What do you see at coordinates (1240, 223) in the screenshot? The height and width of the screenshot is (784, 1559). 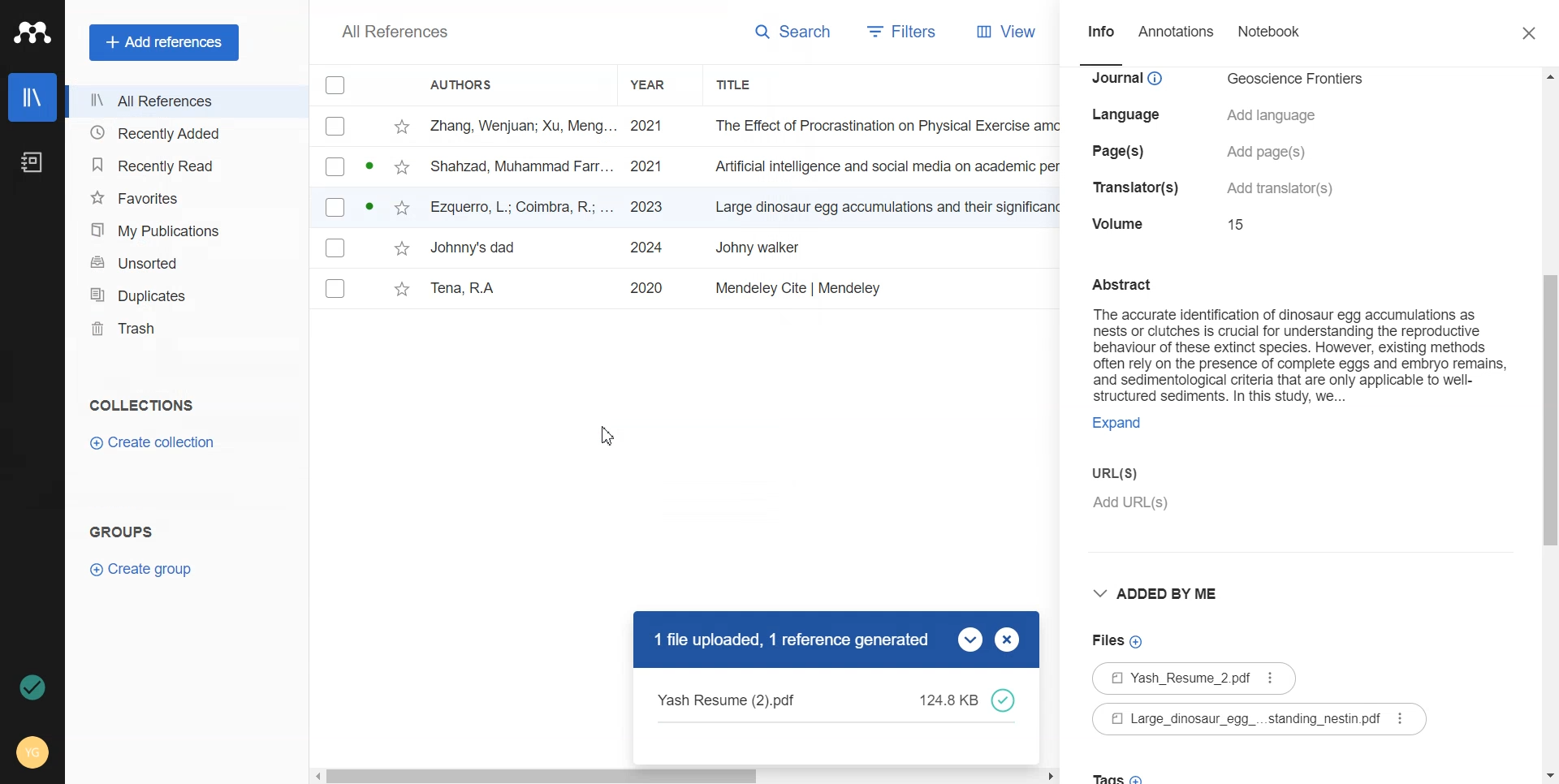 I see `details` at bounding box center [1240, 223].